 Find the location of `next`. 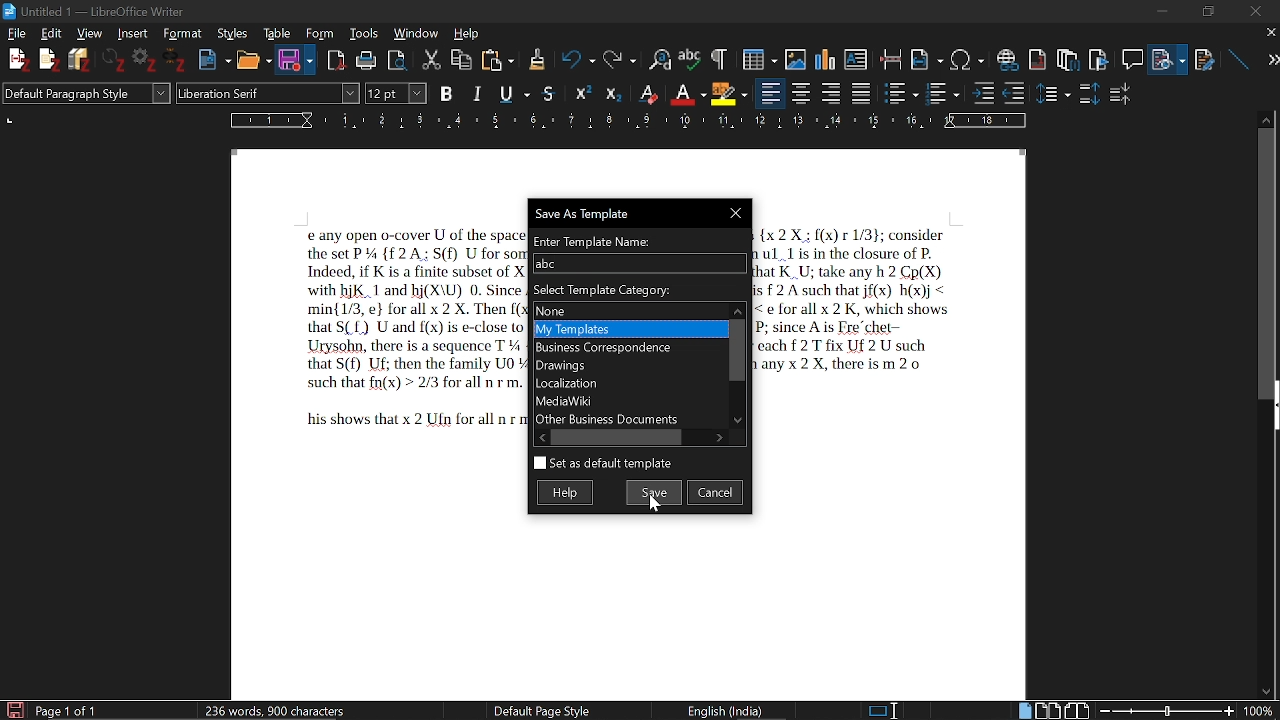

next is located at coordinates (1266, 60).